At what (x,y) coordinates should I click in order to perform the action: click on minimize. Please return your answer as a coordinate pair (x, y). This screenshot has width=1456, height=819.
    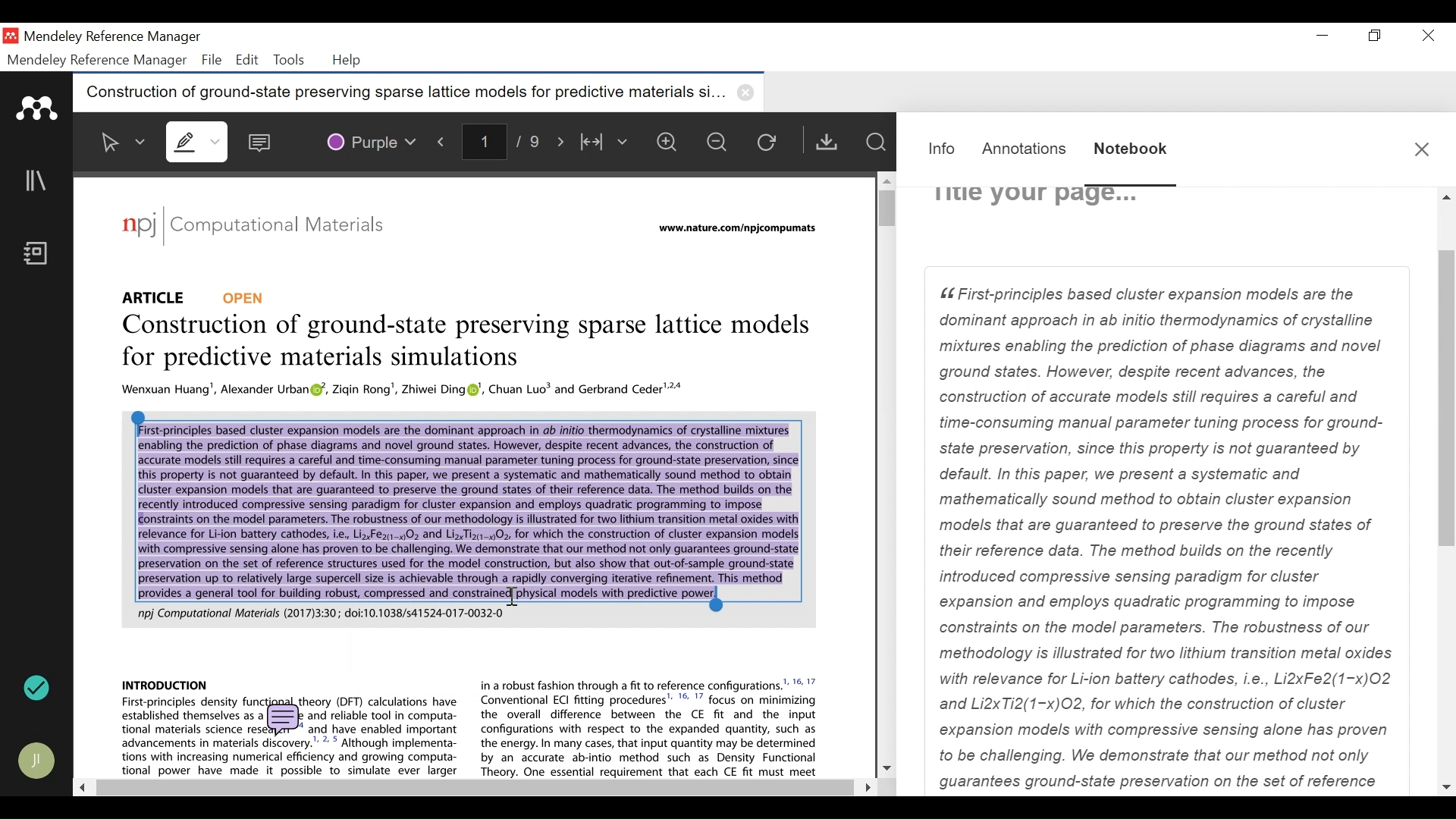
    Looking at the image, I should click on (1323, 36).